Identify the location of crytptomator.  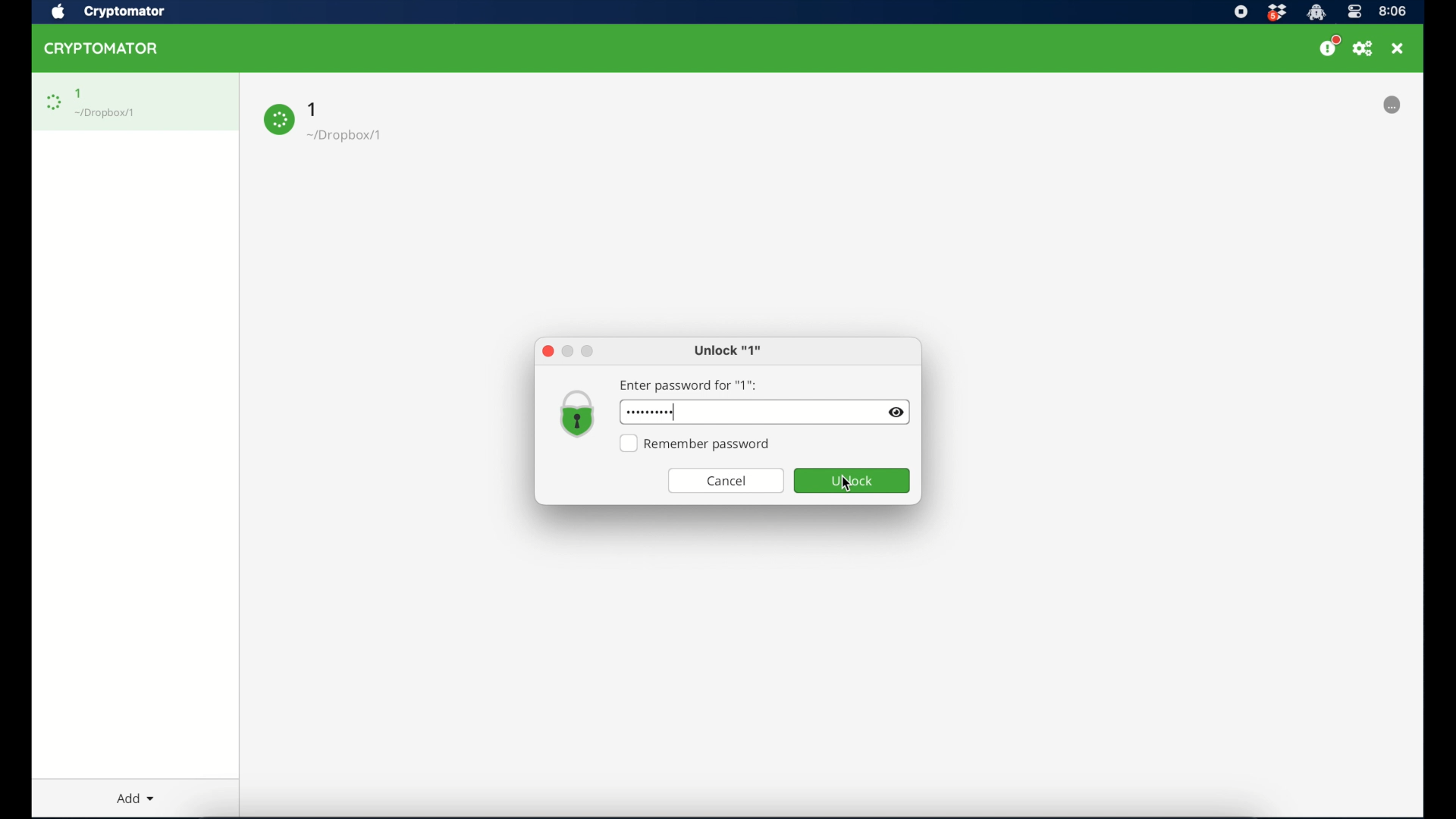
(1316, 13).